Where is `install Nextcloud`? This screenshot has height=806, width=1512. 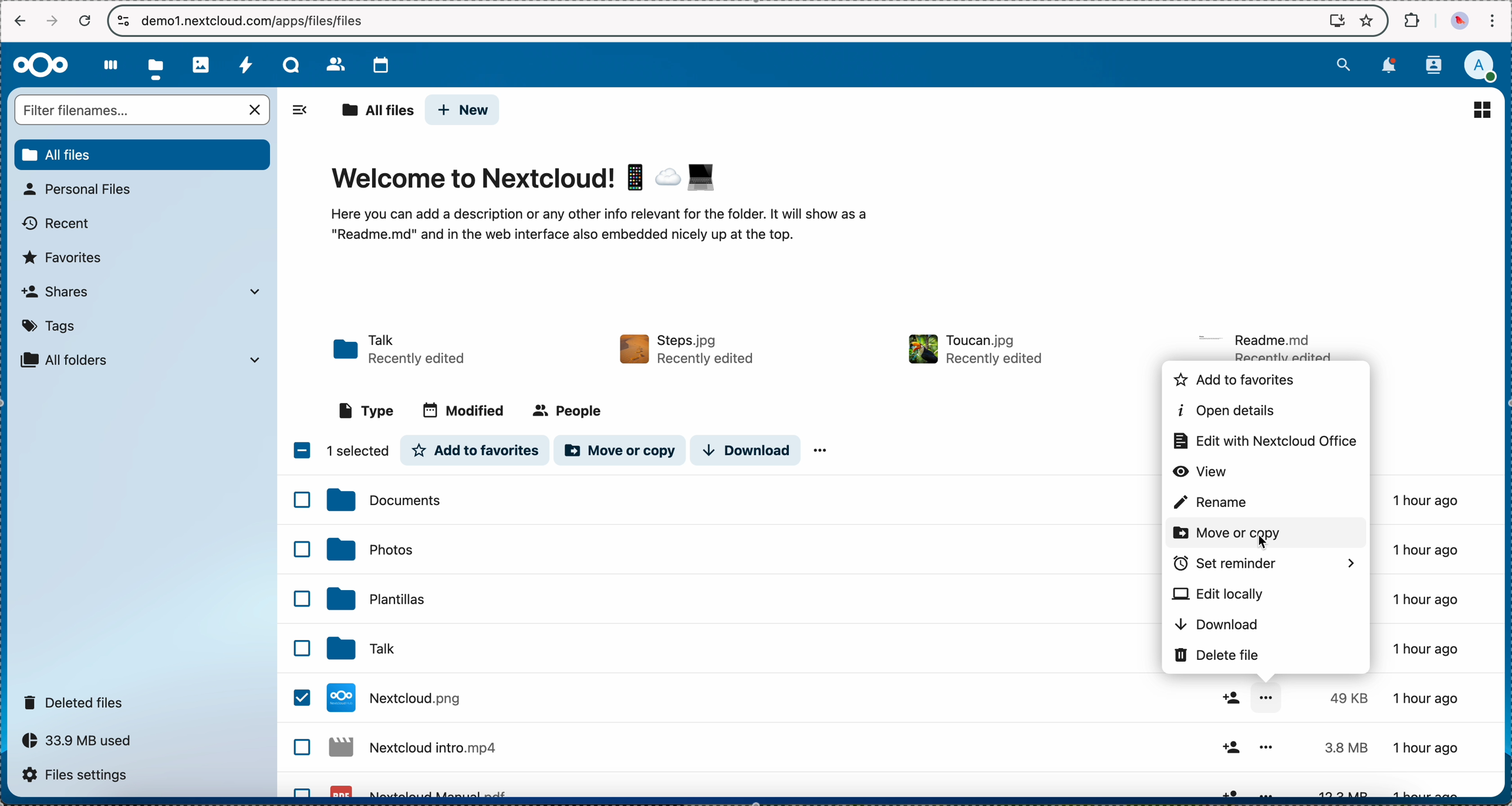
install Nextcloud is located at coordinates (1337, 22).